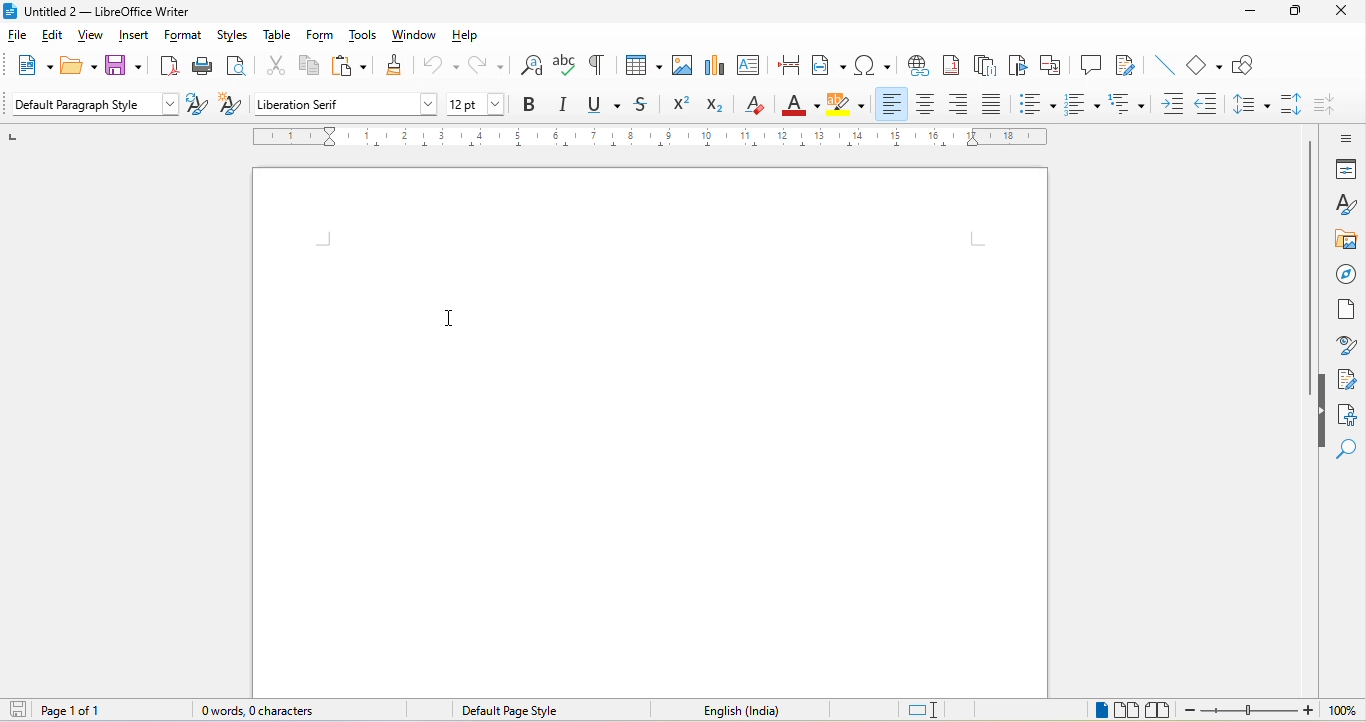  What do you see at coordinates (54, 710) in the screenshot?
I see `page 1 of 1` at bounding box center [54, 710].